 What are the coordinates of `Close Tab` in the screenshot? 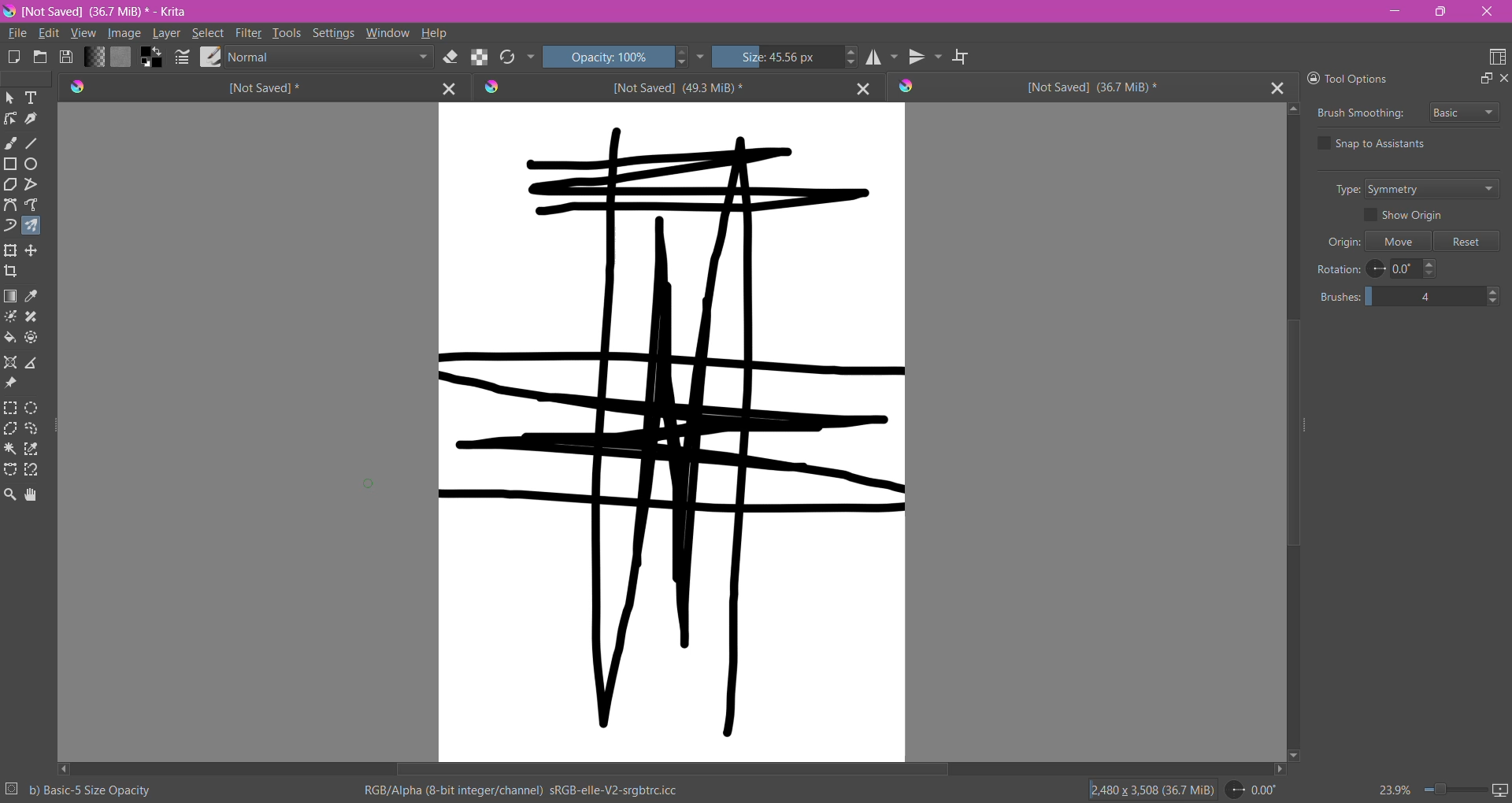 It's located at (859, 87).